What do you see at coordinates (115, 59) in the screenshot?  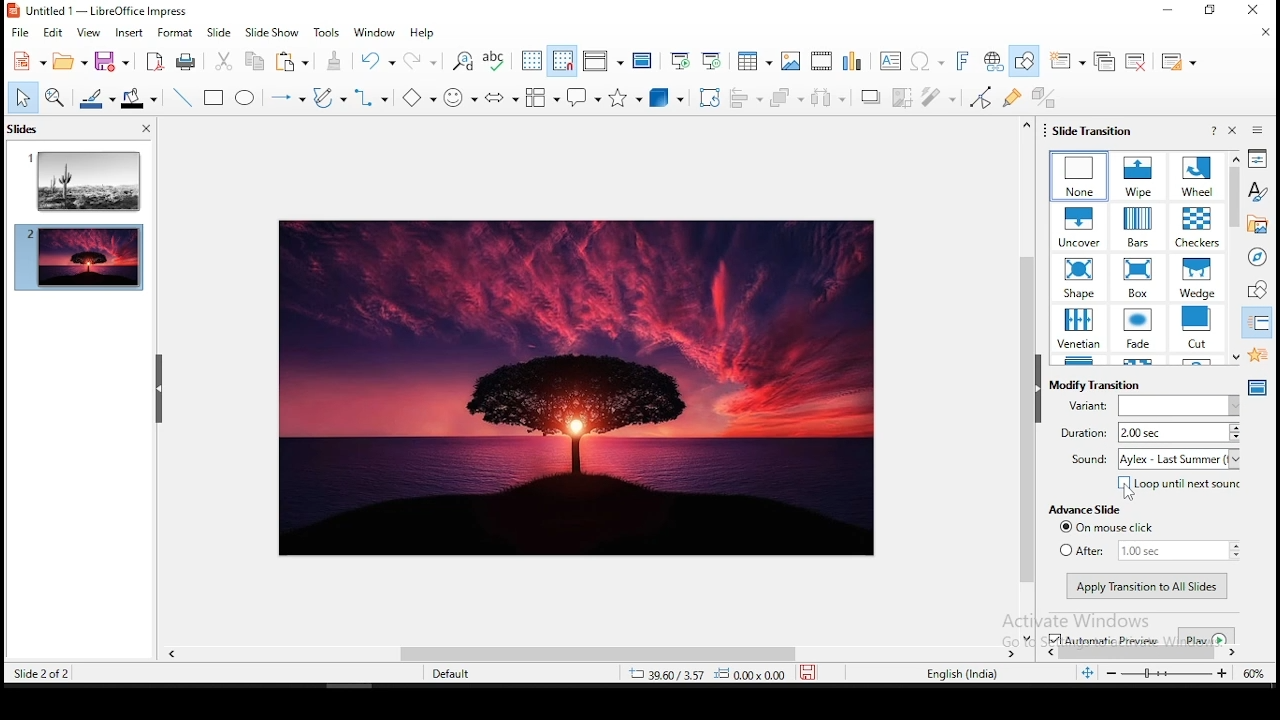 I see `save` at bounding box center [115, 59].